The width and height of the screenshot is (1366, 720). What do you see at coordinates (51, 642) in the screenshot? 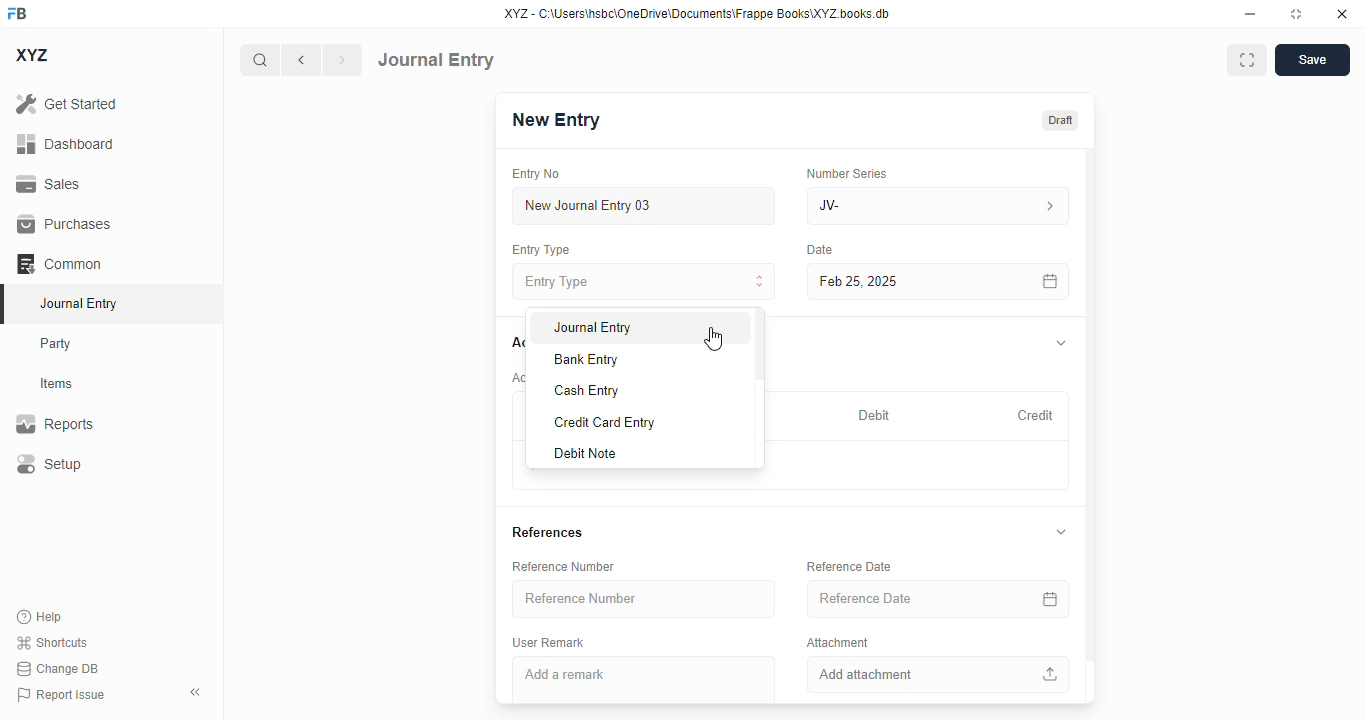
I see `shortcuts` at bounding box center [51, 642].